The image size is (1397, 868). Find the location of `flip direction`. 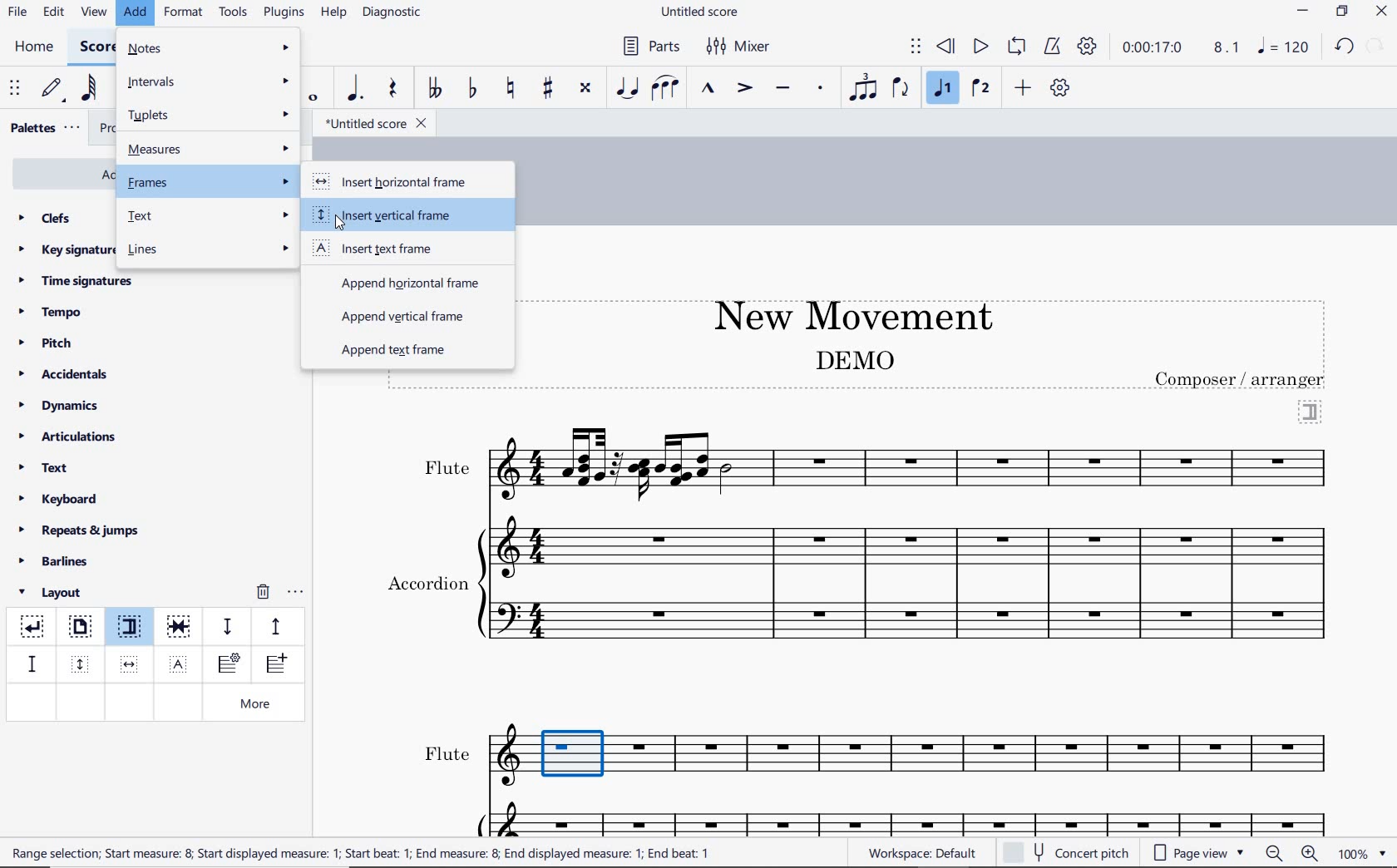

flip direction is located at coordinates (901, 86).